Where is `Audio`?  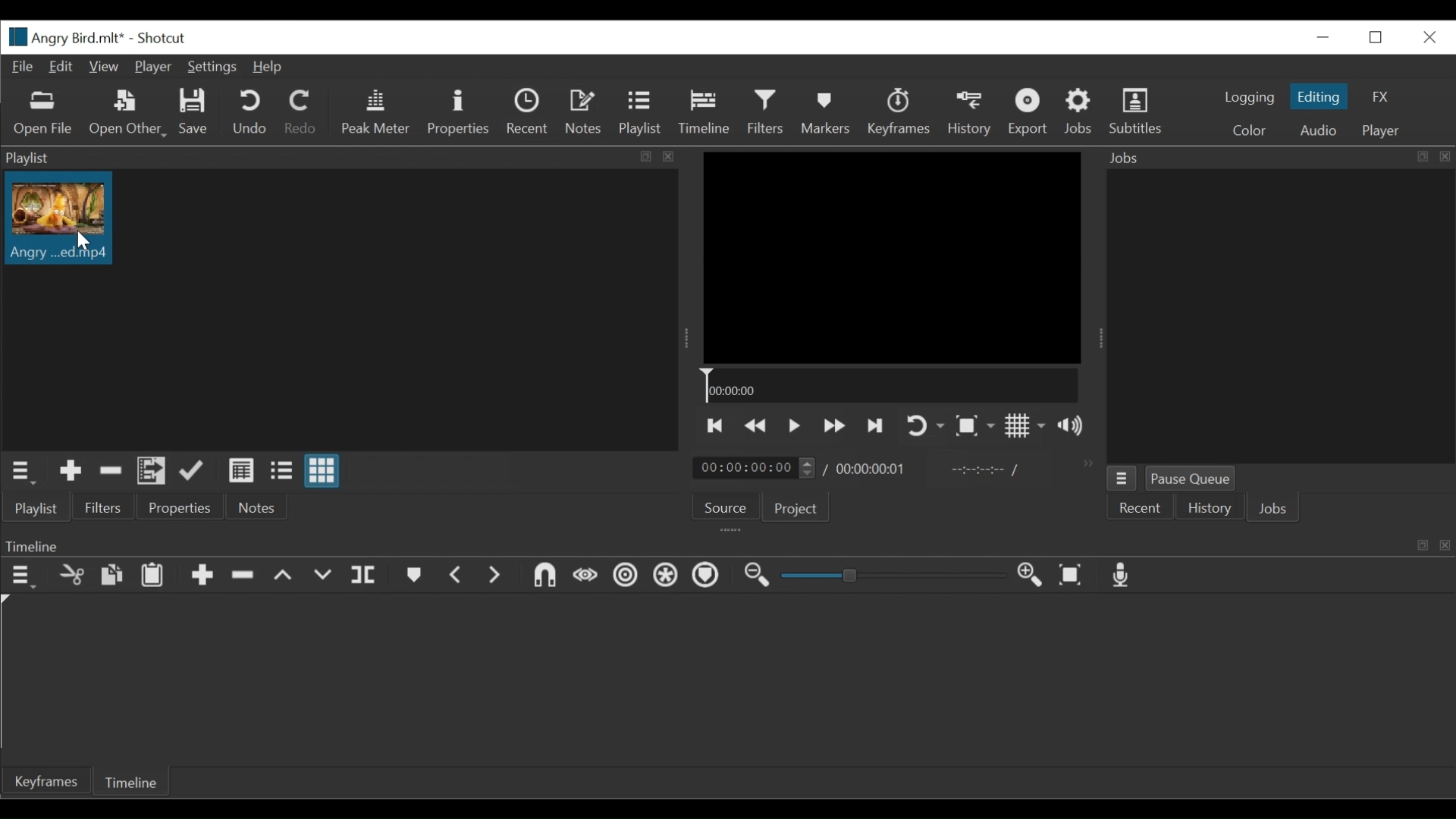 Audio is located at coordinates (1323, 130).